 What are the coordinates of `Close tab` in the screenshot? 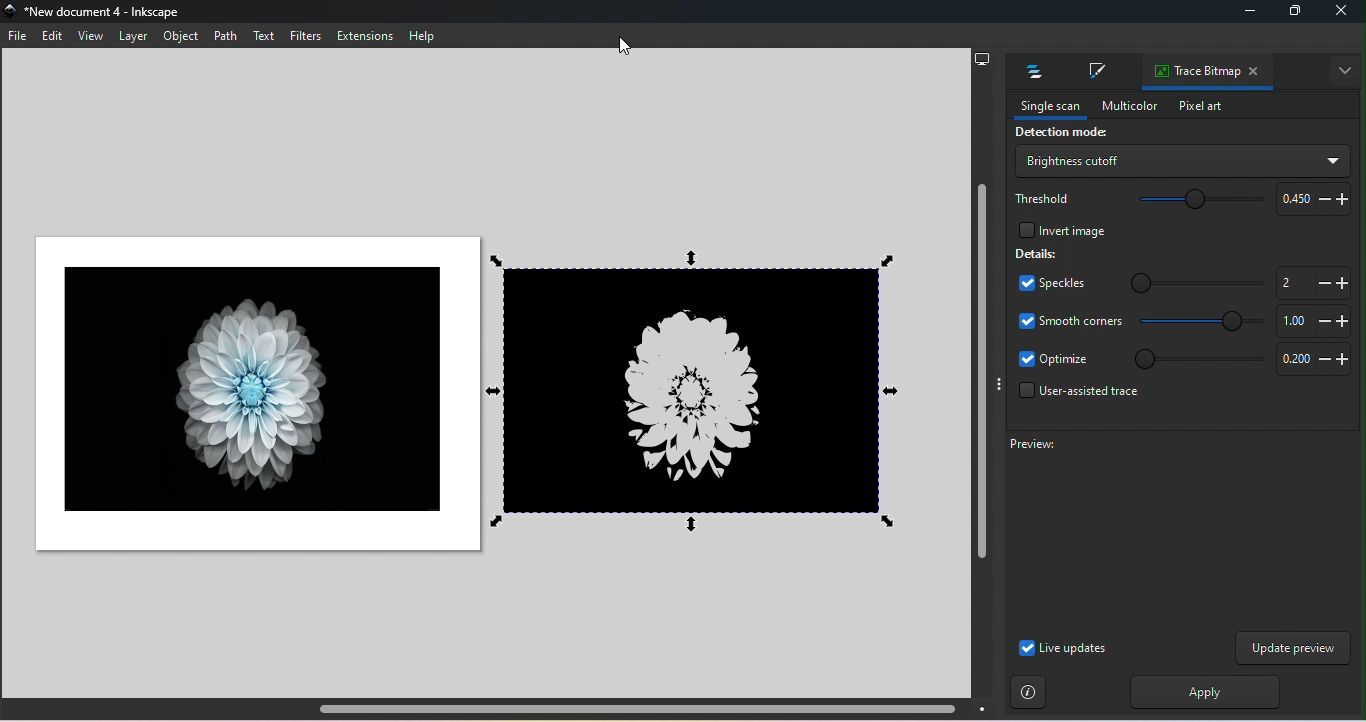 It's located at (1257, 73).